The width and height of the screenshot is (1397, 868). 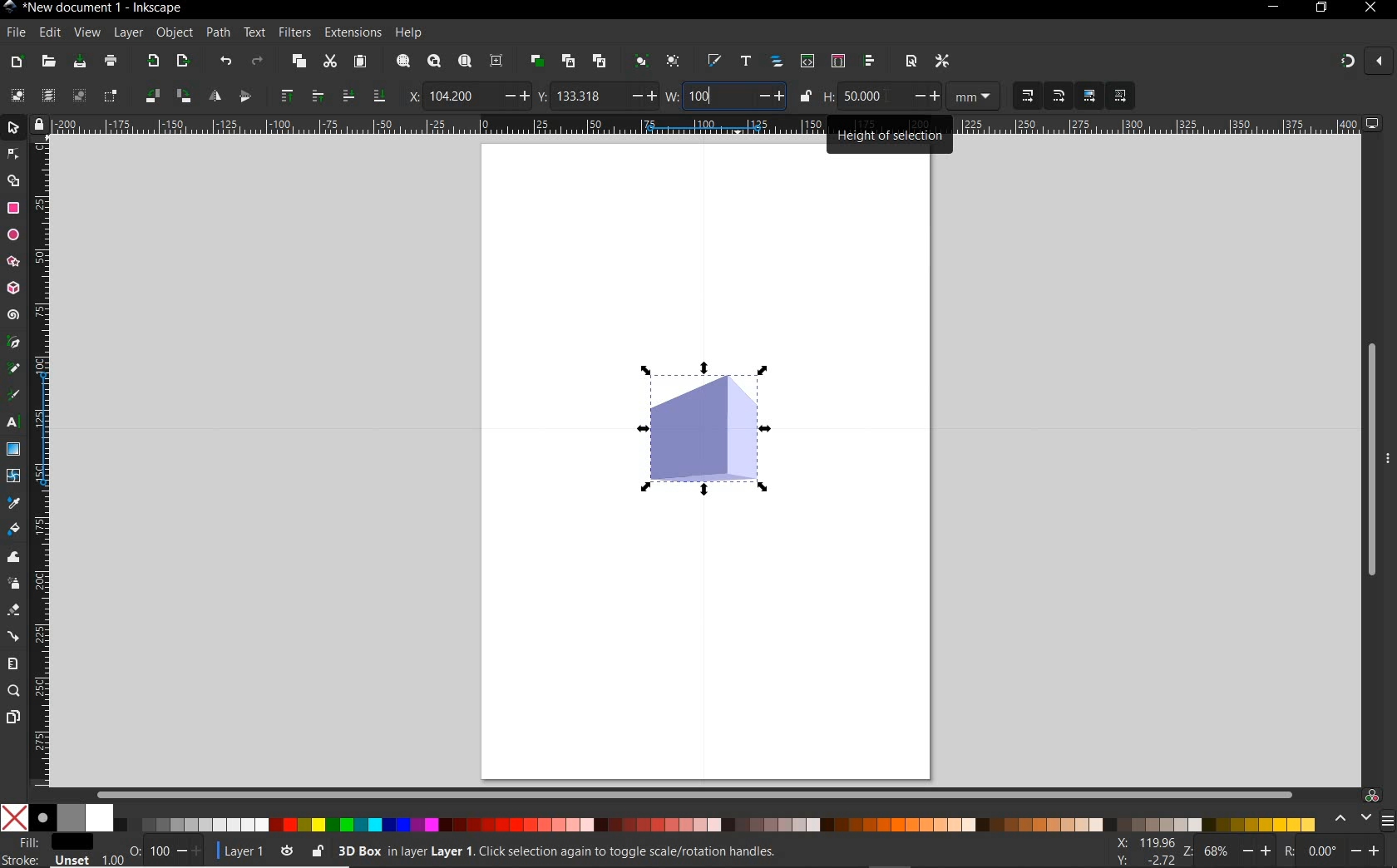 What do you see at coordinates (1027, 96) in the screenshot?
I see `when scaling` at bounding box center [1027, 96].